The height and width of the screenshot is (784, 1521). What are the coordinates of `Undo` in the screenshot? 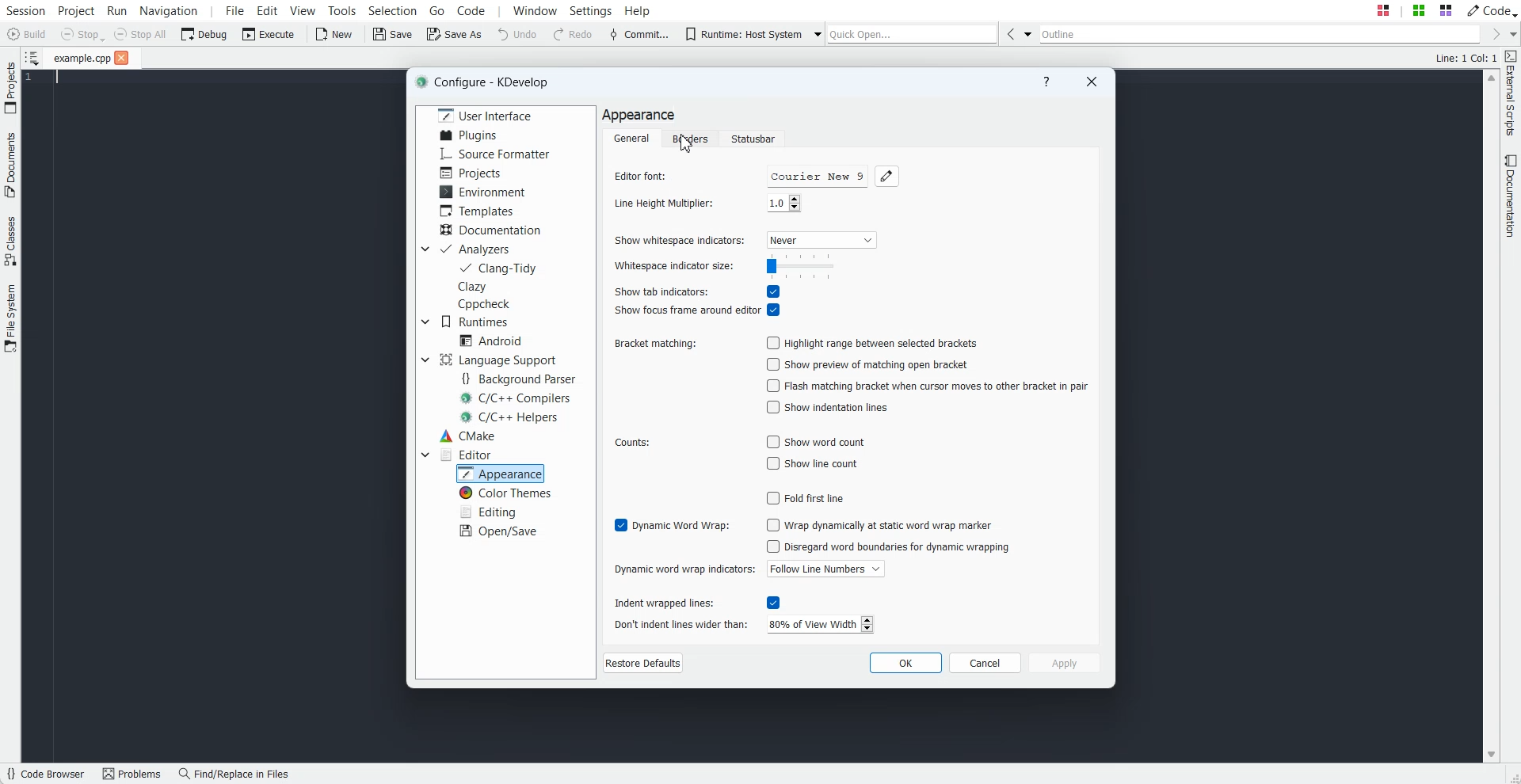 It's located at (517, 34).